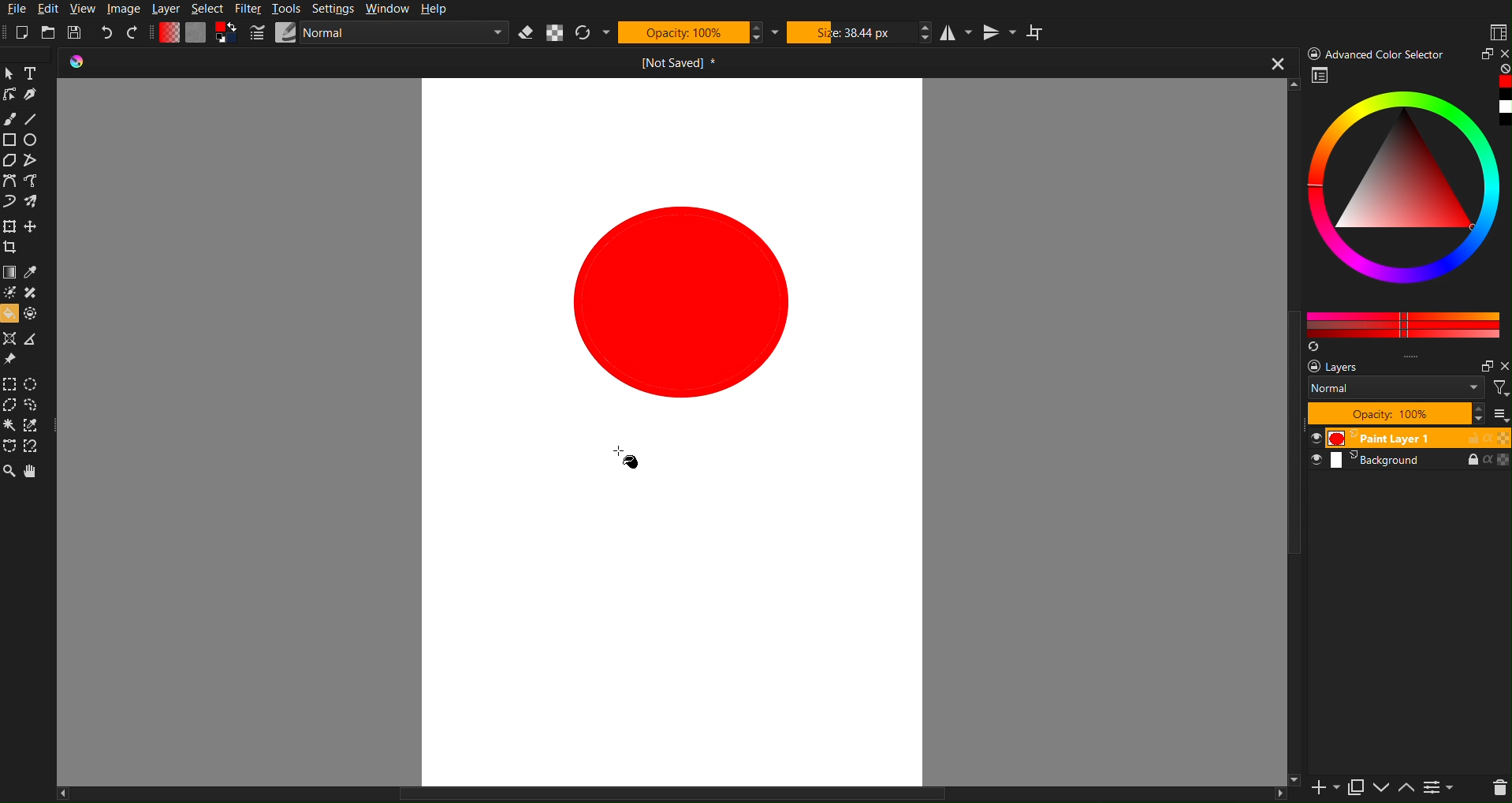 The image size is (1512, 803). What do you see at coordinates (9, 472) in the screenshot?
I see `Zoom ` at bounding box center [9, 472].